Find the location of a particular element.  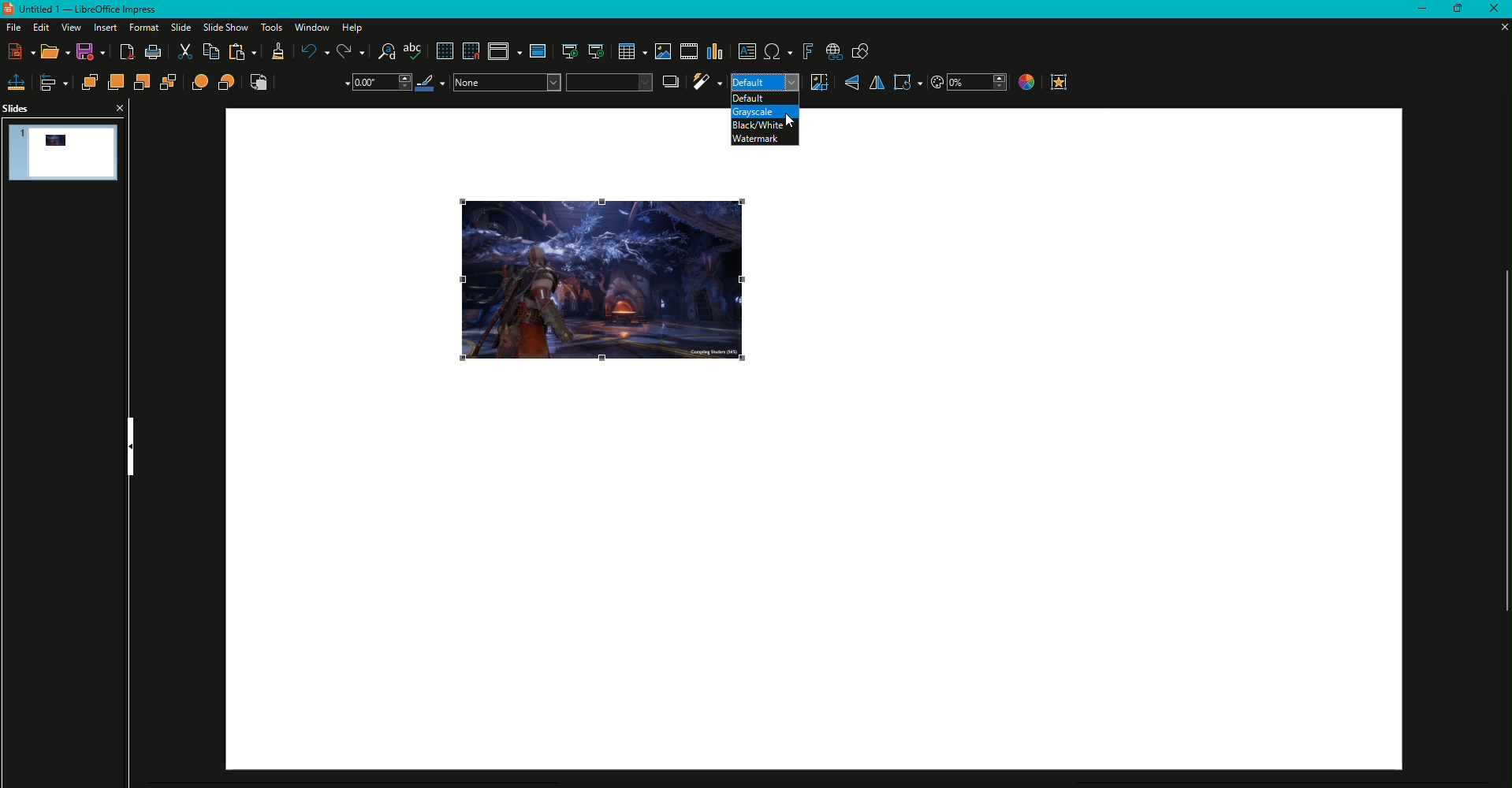

Fontwork is located at coordinates (807, 52).